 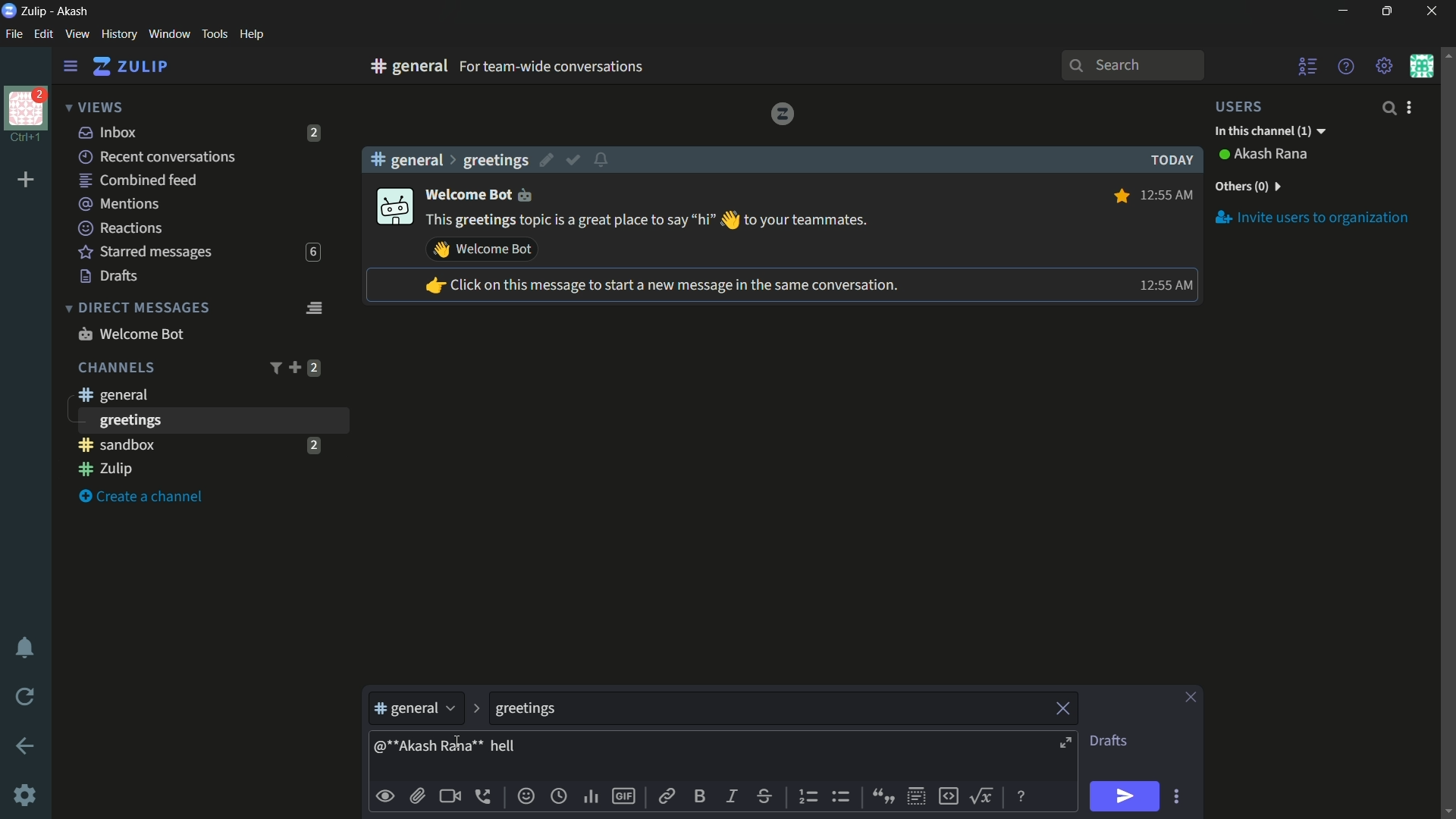 I want to click on minimize, so click(x=1342, y=11).